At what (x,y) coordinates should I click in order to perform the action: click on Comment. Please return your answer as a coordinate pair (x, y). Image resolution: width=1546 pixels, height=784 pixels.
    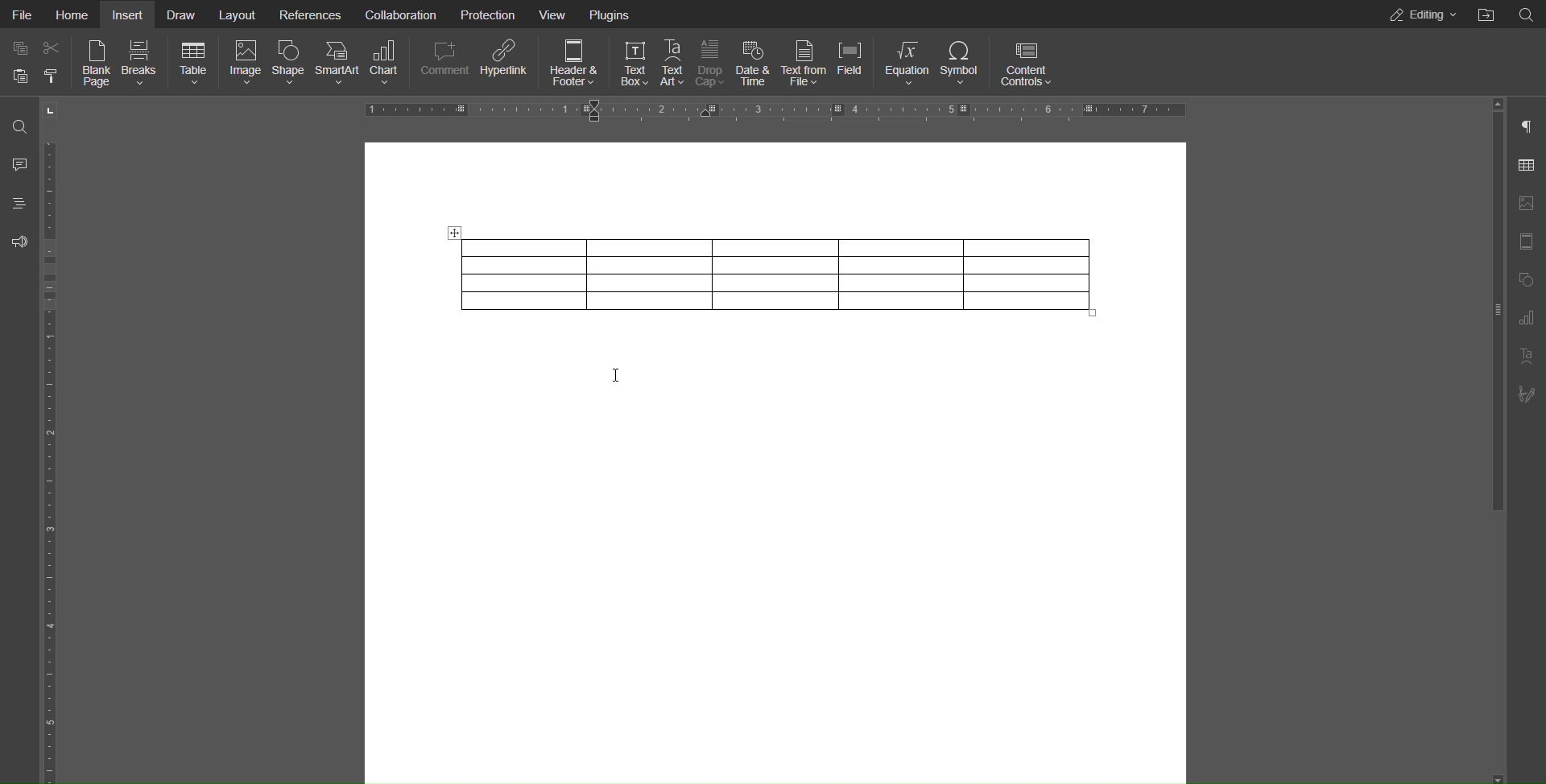
    Looking at the image, I should click on (443, 64).